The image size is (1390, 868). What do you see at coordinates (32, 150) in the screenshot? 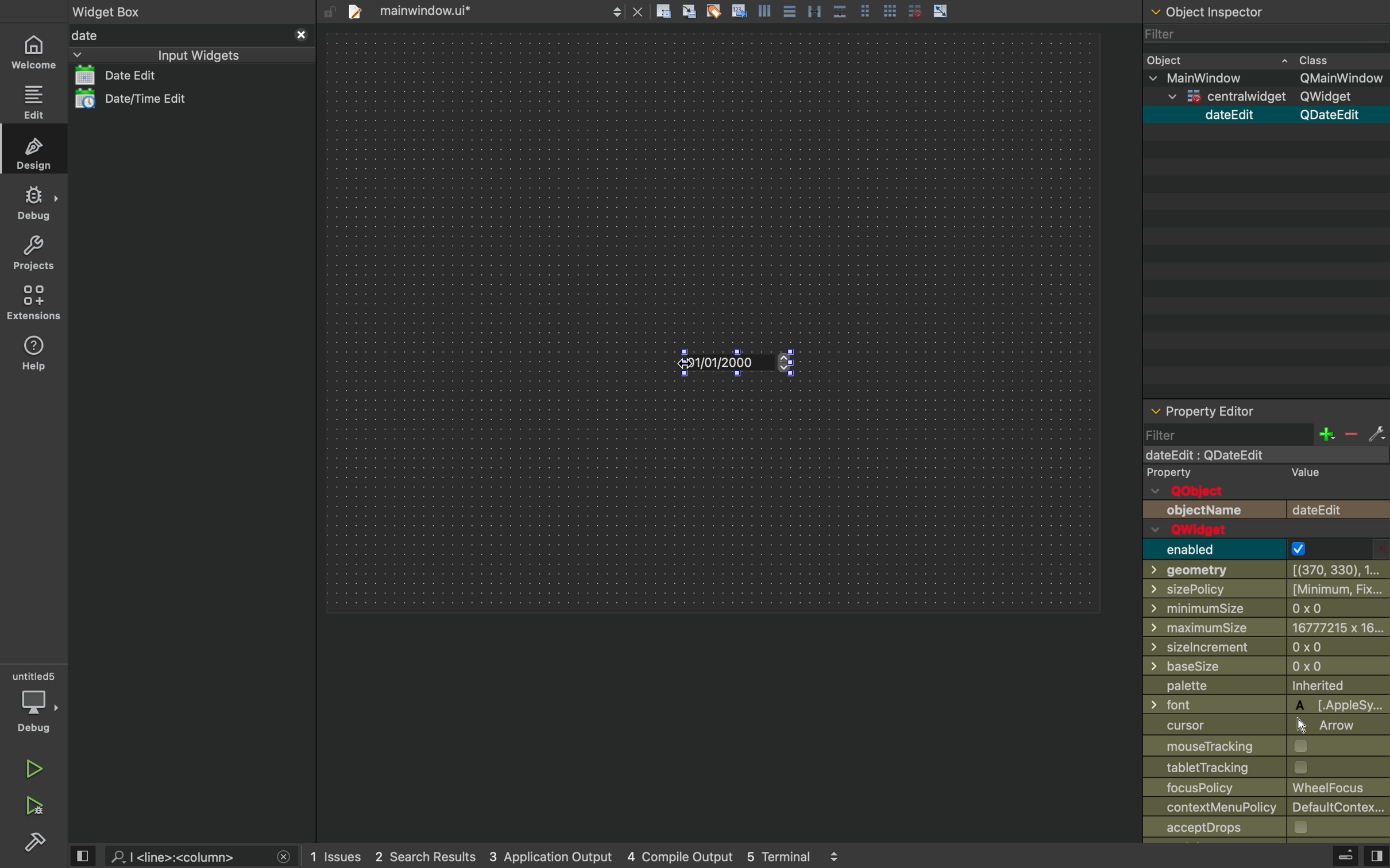
I see `design` at bounding box center [32, 150].